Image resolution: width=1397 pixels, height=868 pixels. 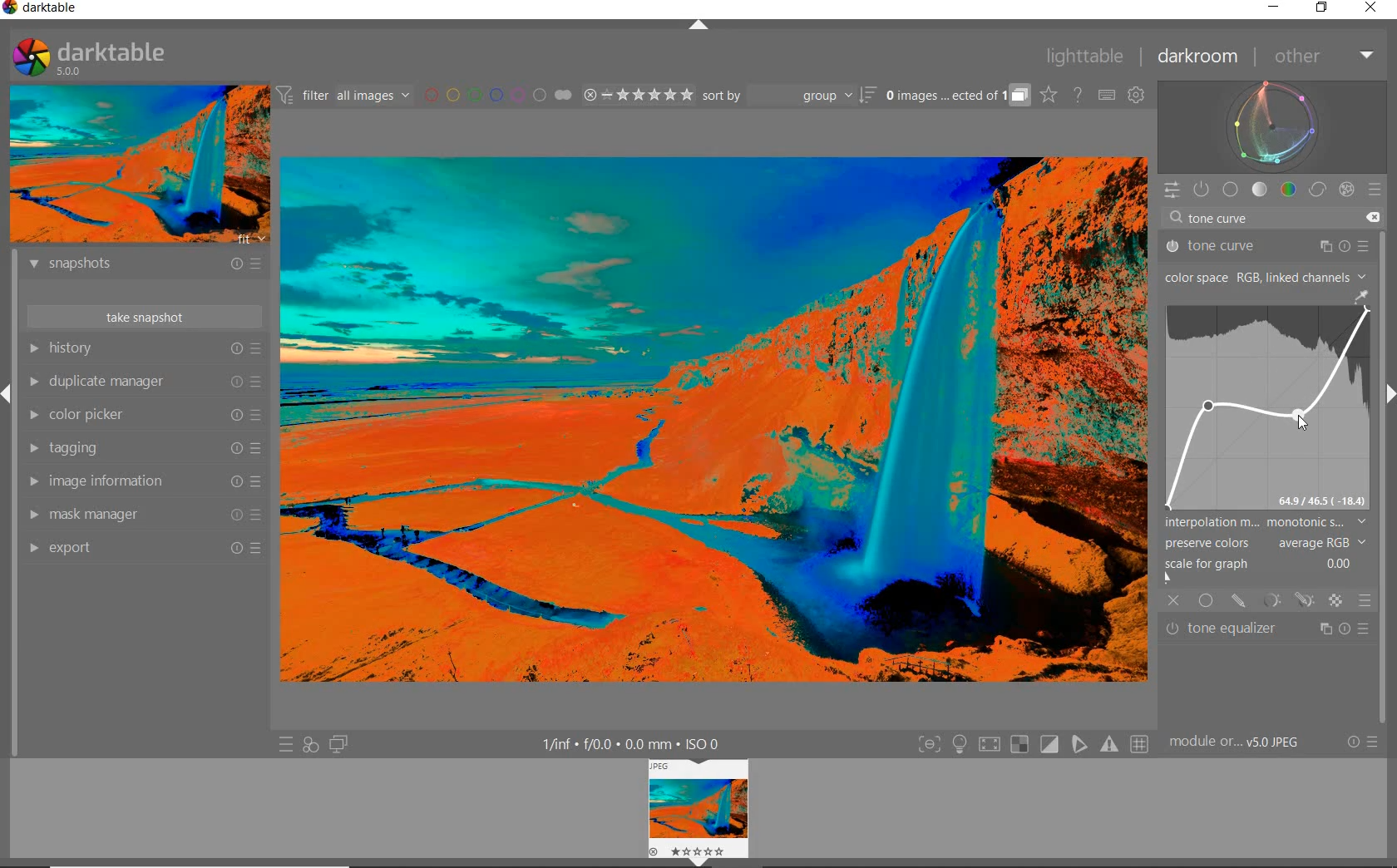 I want to click on SCALE FOR GRAPH, so click(x=1261, y=572).